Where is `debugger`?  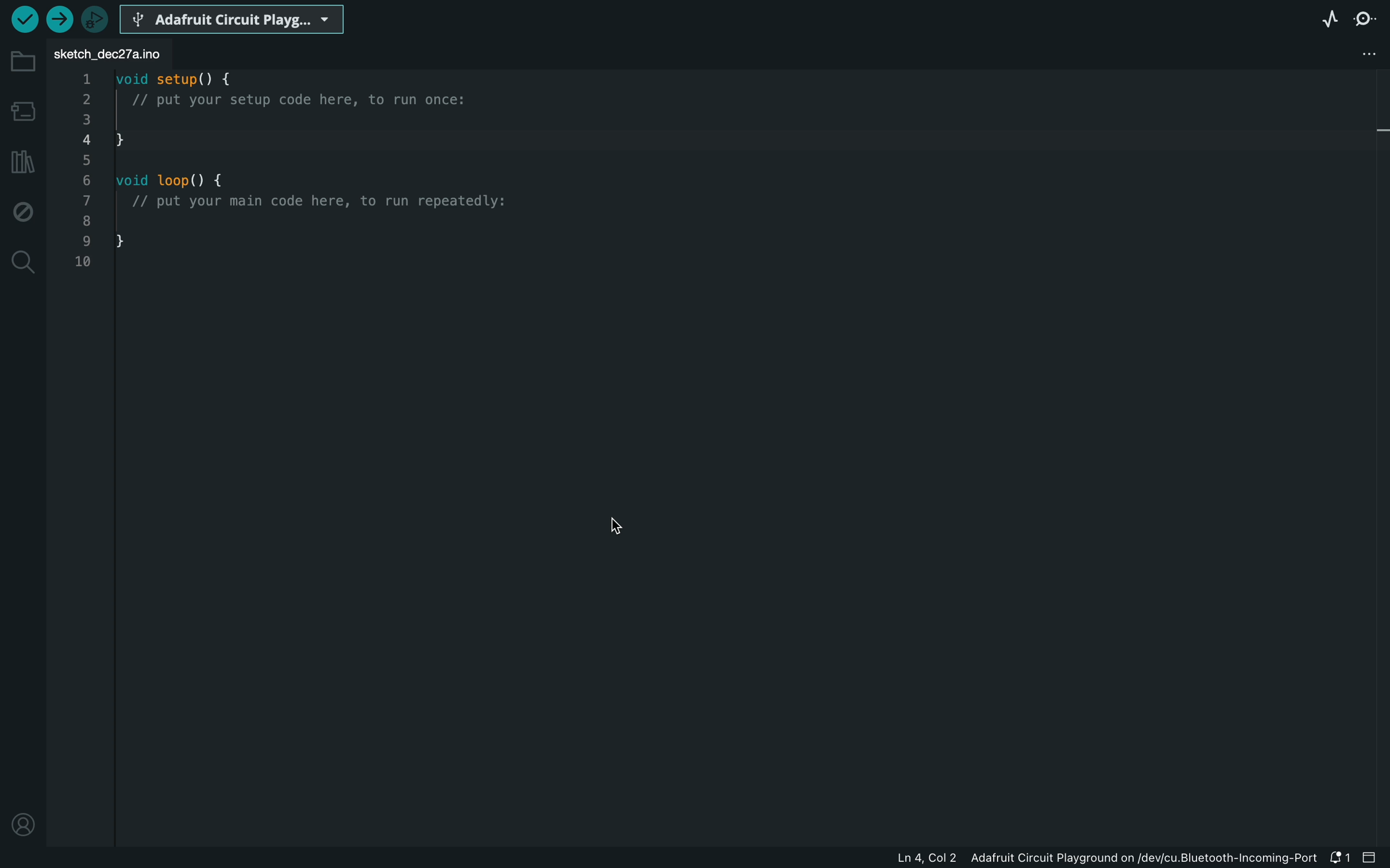 debugger is located at coordinates (96, 19).